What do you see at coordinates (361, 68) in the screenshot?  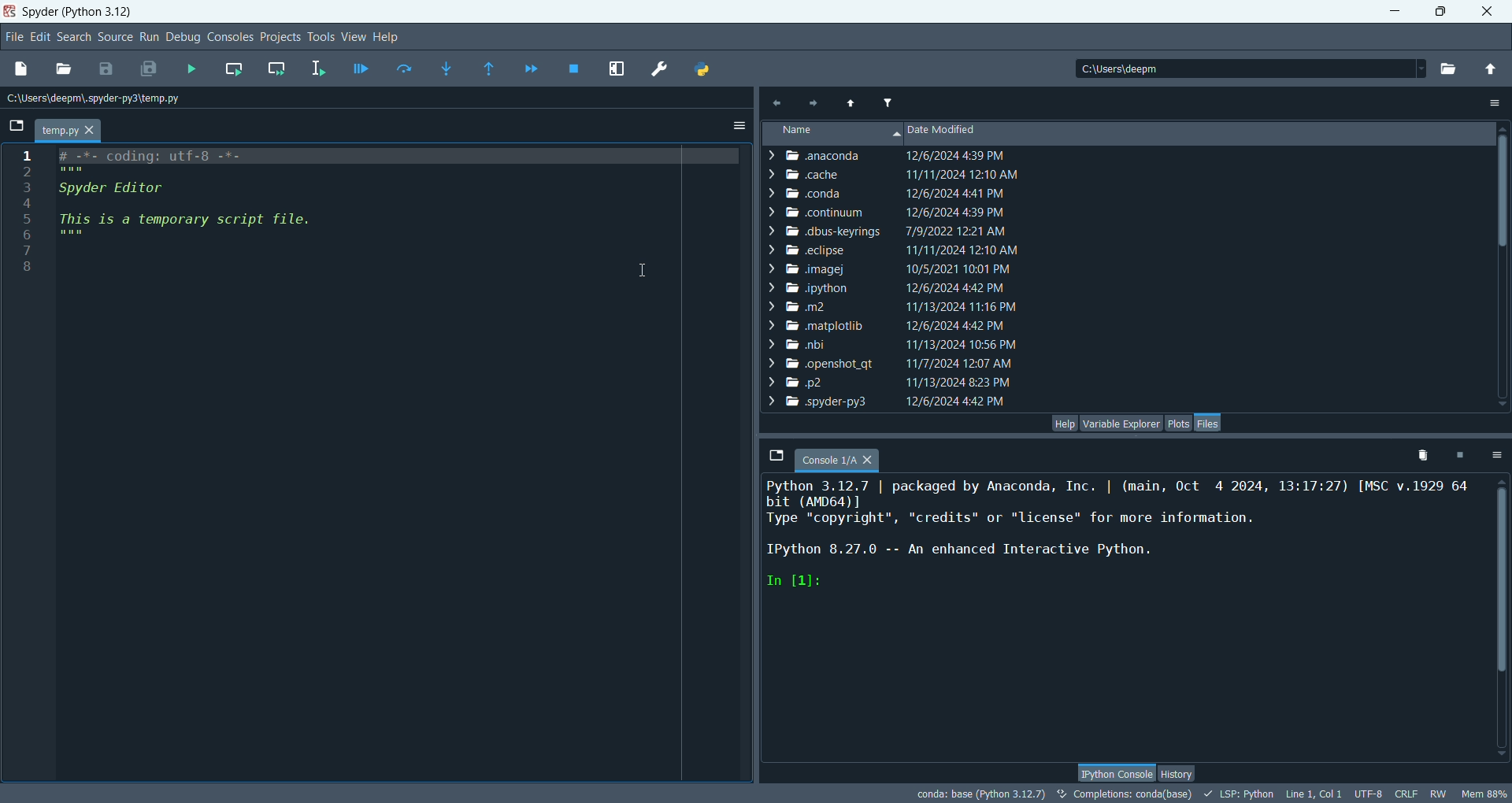 I see `debug file` at bounding box center [361, 68].